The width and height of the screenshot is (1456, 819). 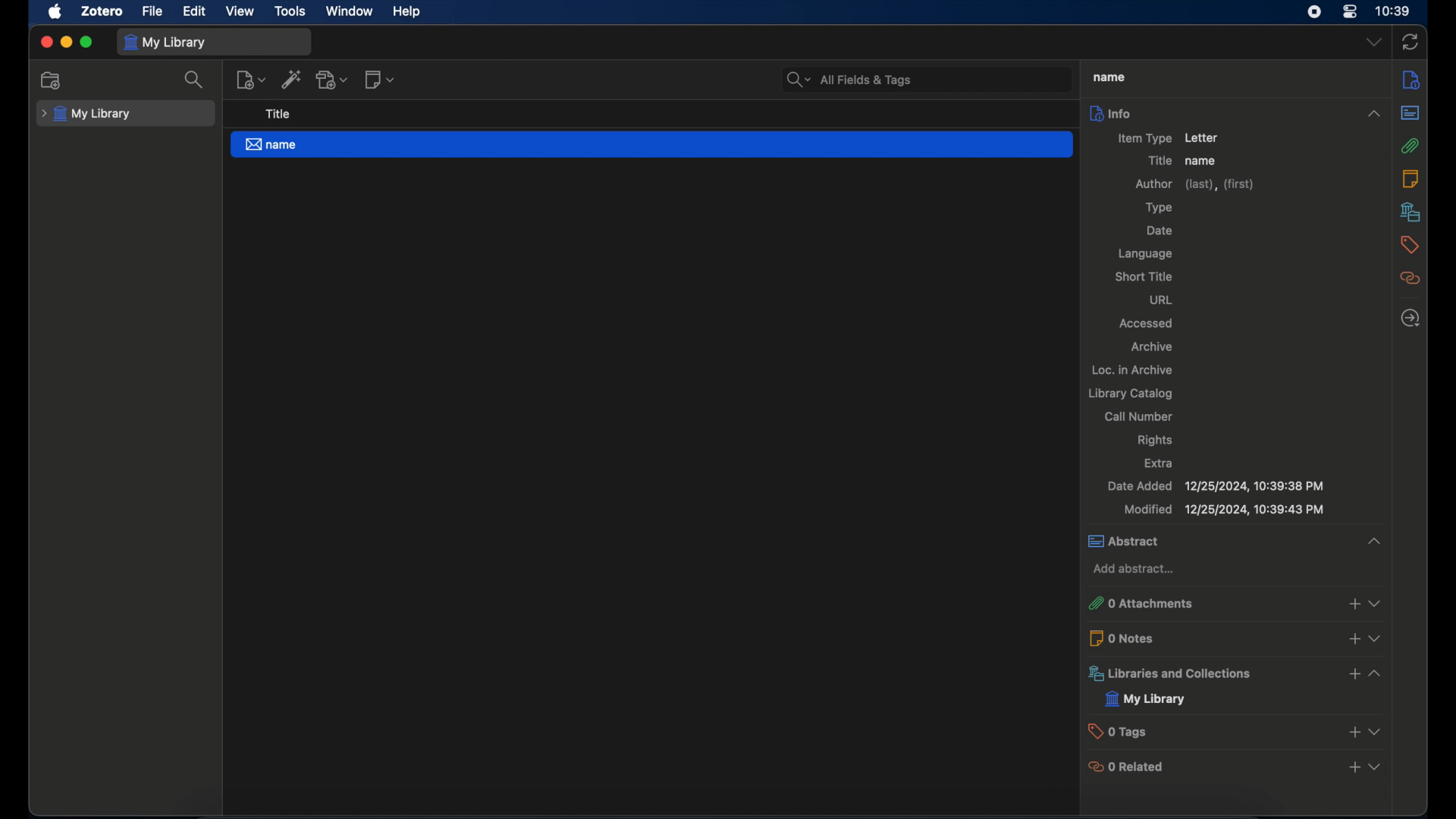 I want to click on view, so click(x=241, y=11).